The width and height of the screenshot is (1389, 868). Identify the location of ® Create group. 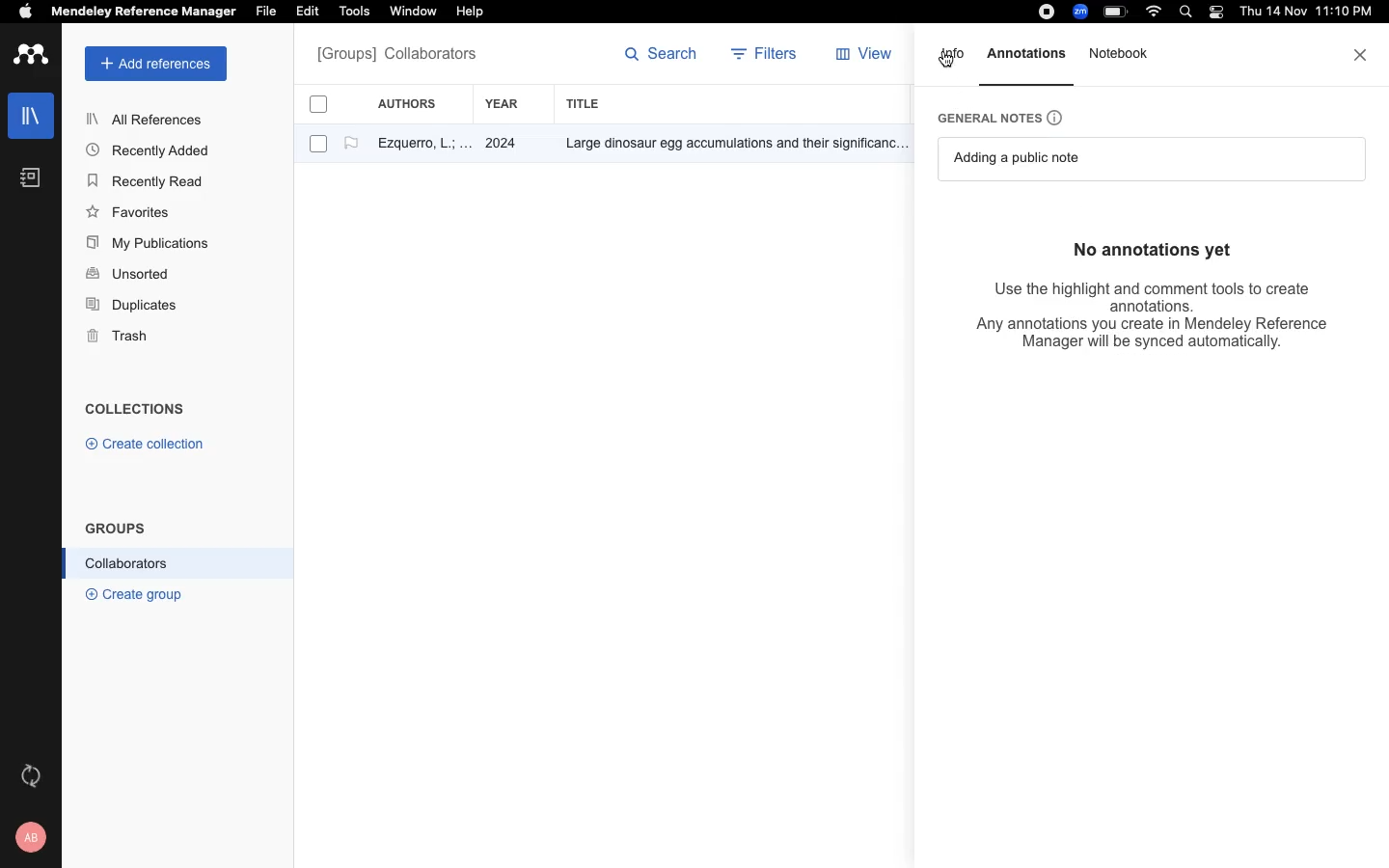
(130, 593).